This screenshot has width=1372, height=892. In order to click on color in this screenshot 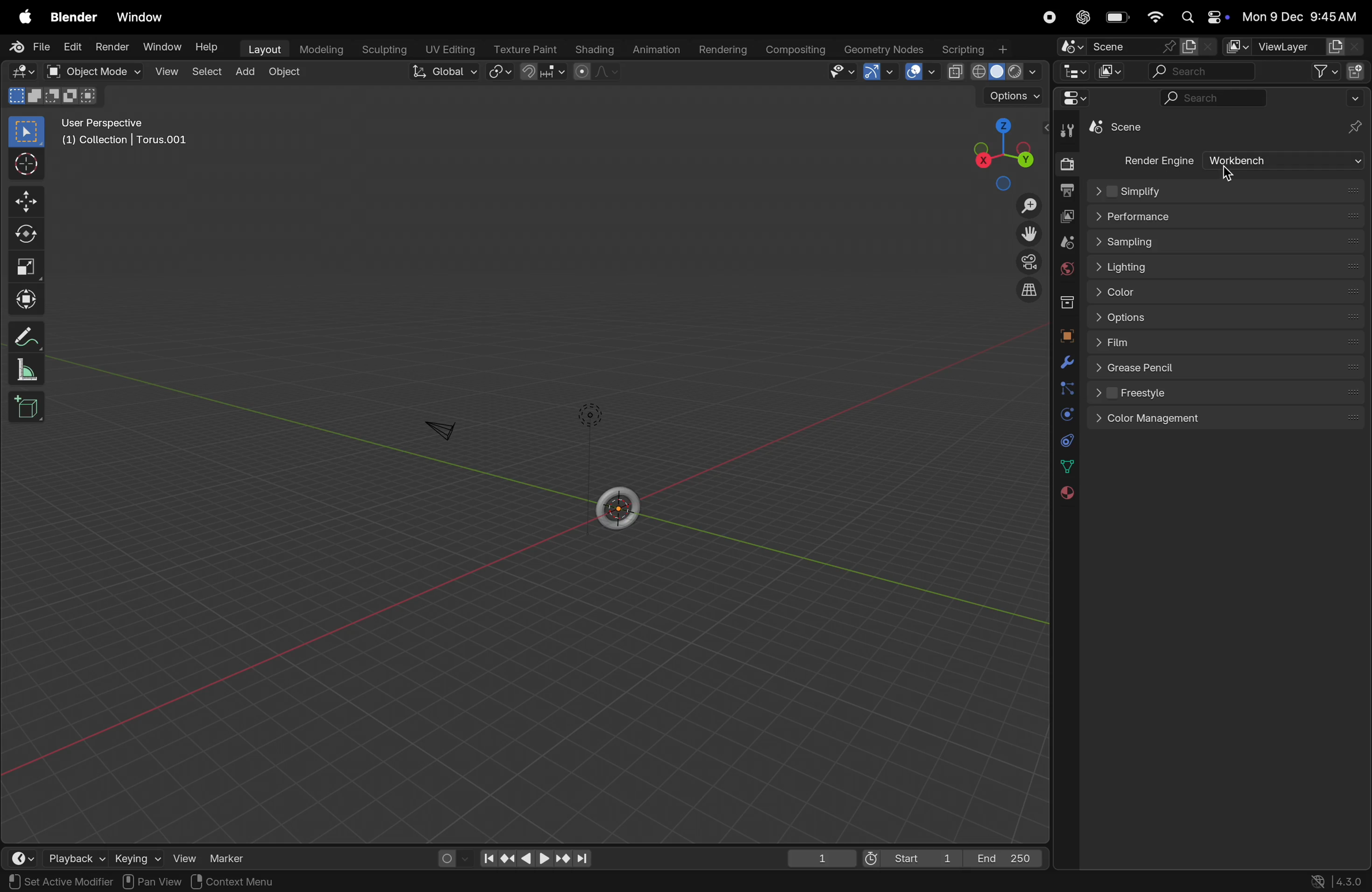, I will do `click(1227, 290)`.